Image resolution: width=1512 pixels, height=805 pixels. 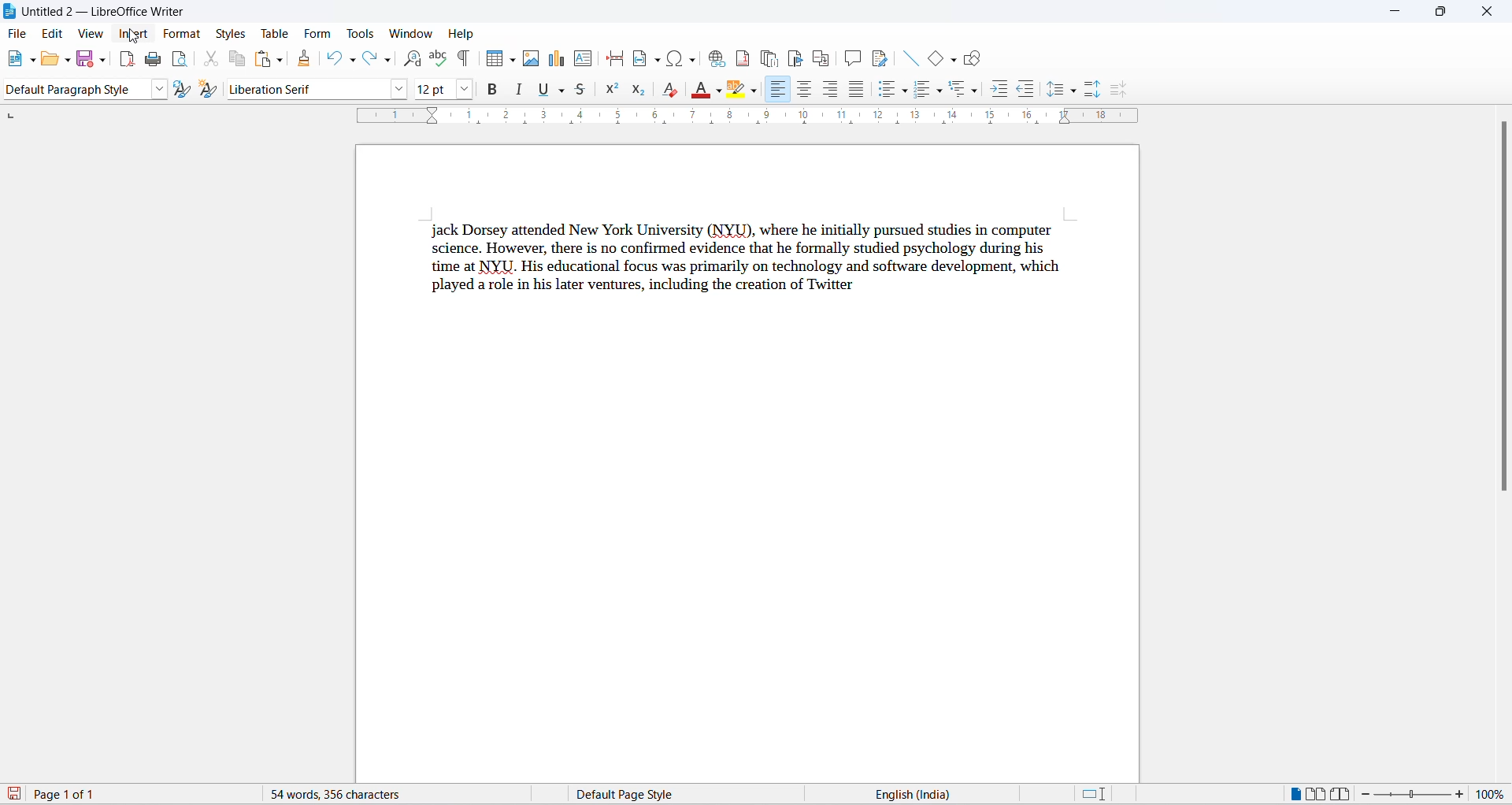 I want to click on paste, so click(x=263, y=59).